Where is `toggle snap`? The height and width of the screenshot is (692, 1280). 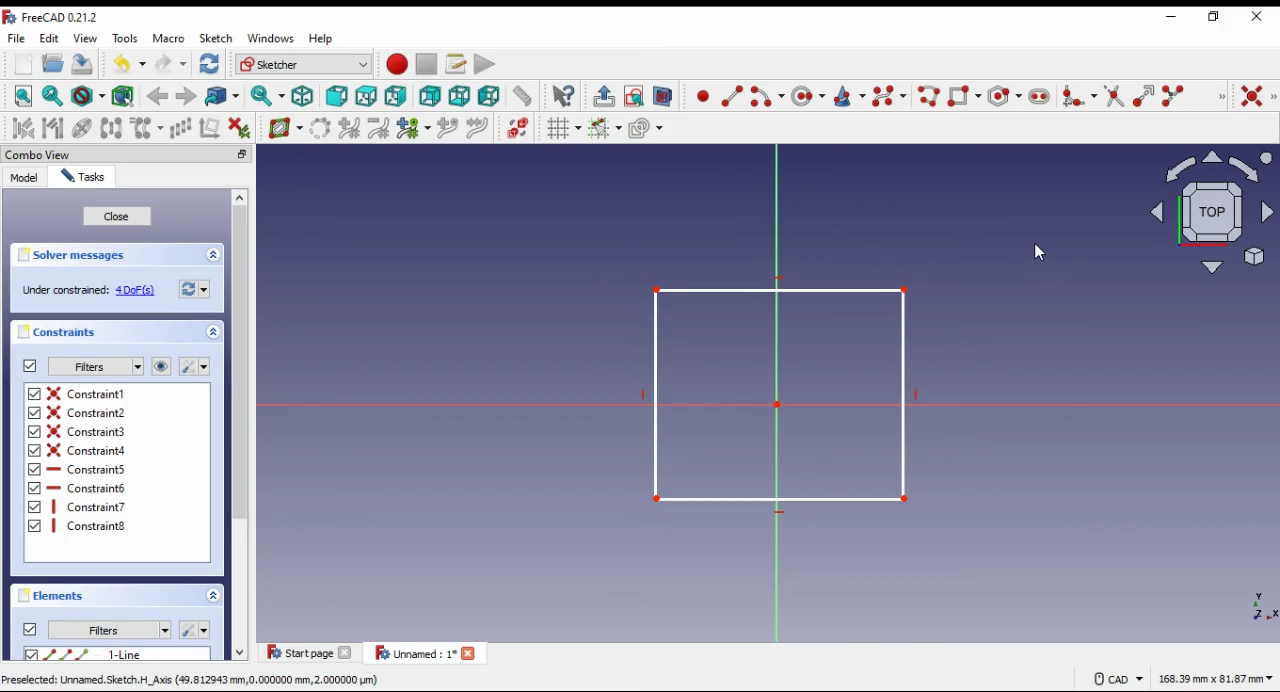 toggle snap is located at coordinates (606, 128).